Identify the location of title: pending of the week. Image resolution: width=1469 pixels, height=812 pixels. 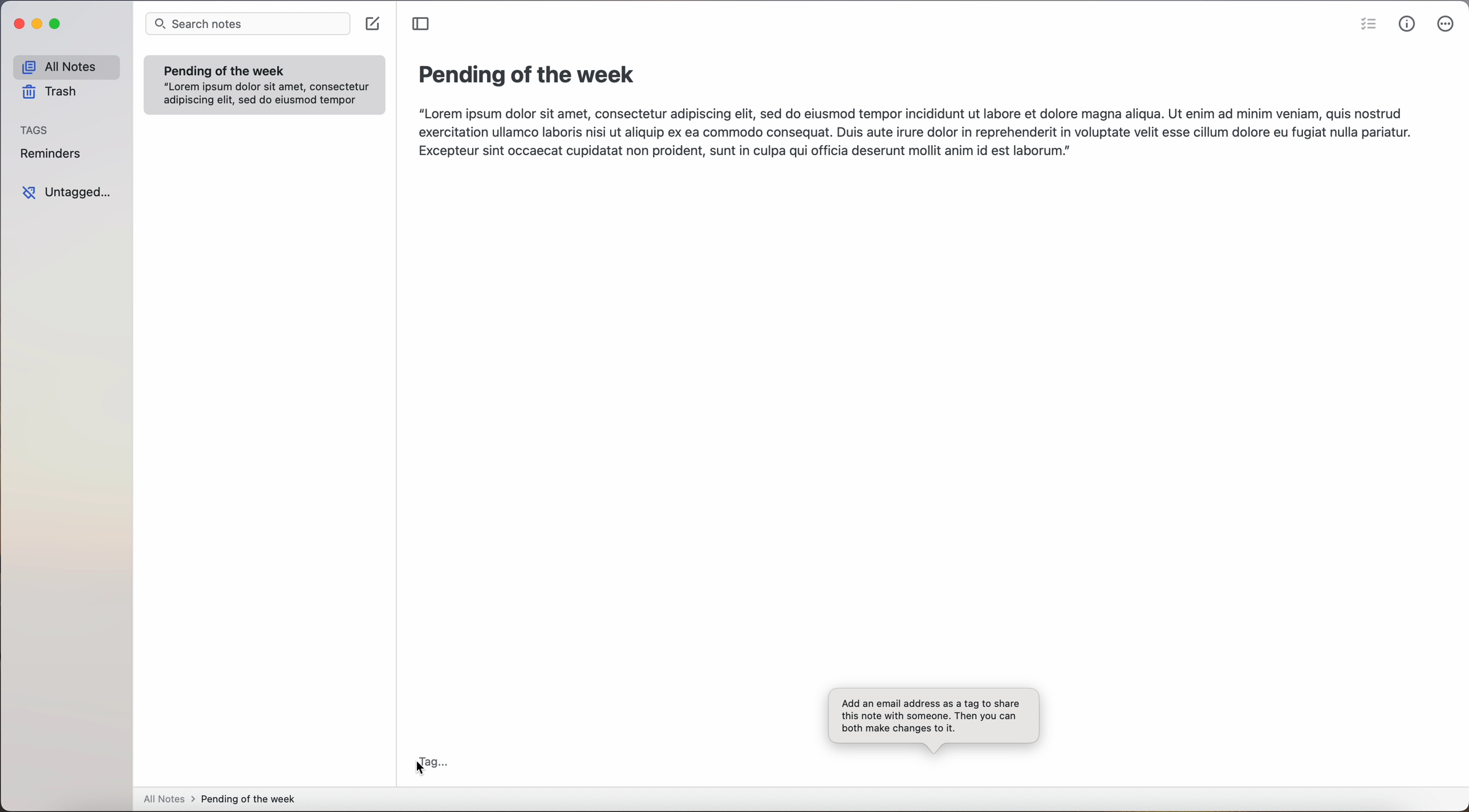
(530, 76).